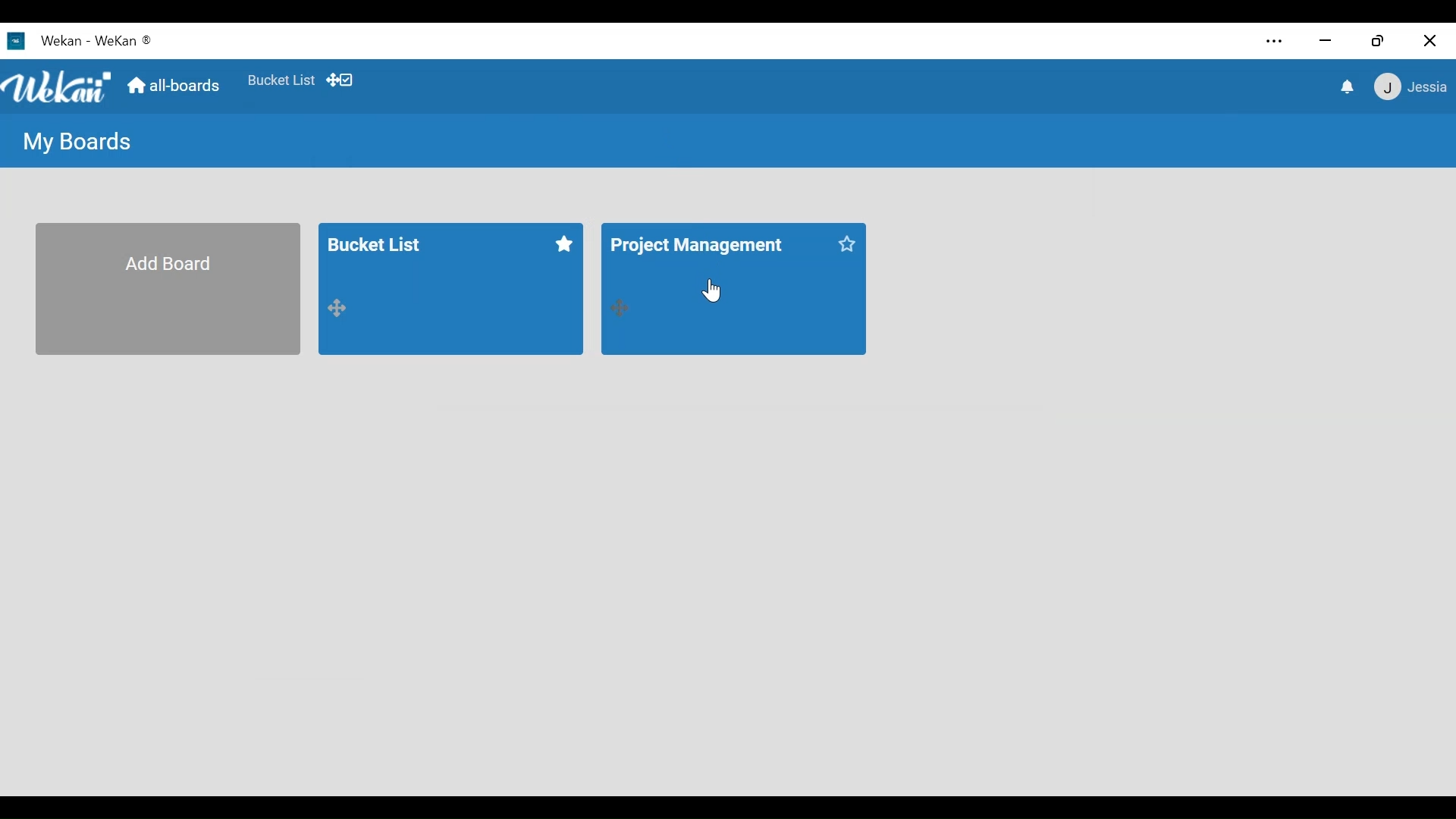 The height and width of the screenshot is (819, 1456). I want to click on minimize, so click(1326, 41).